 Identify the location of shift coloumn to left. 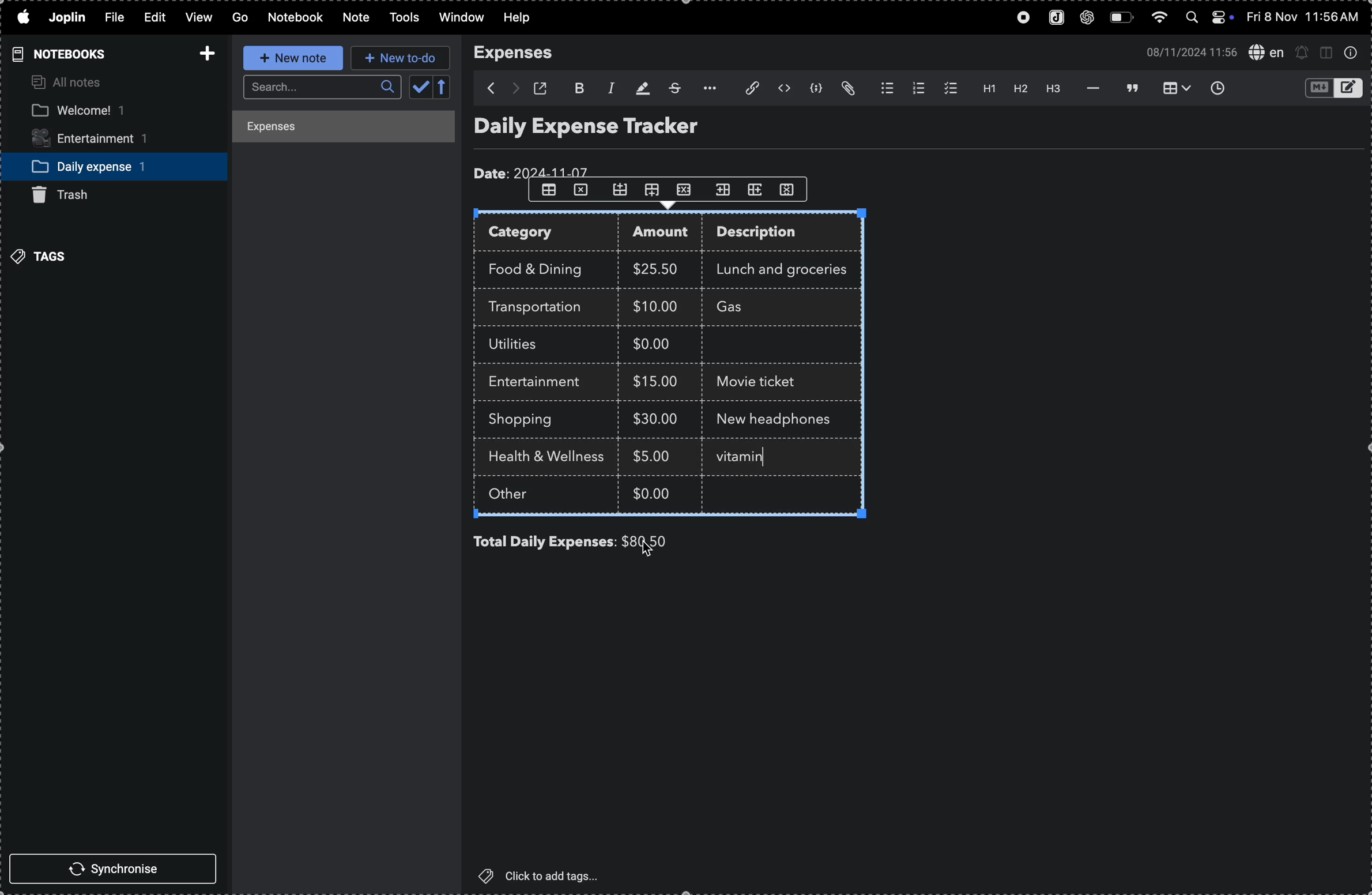
(756, 189).